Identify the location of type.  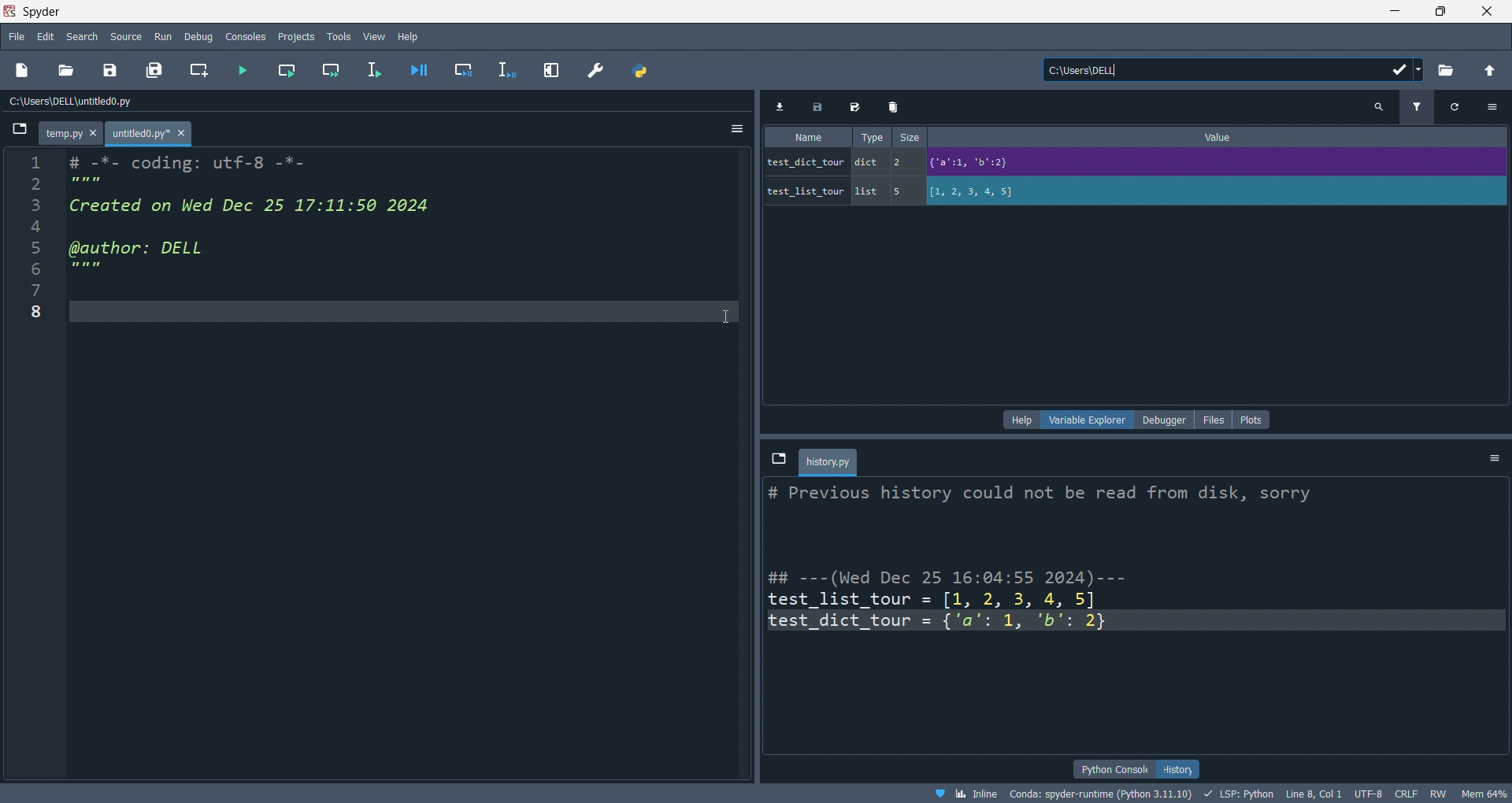
(868, 136).